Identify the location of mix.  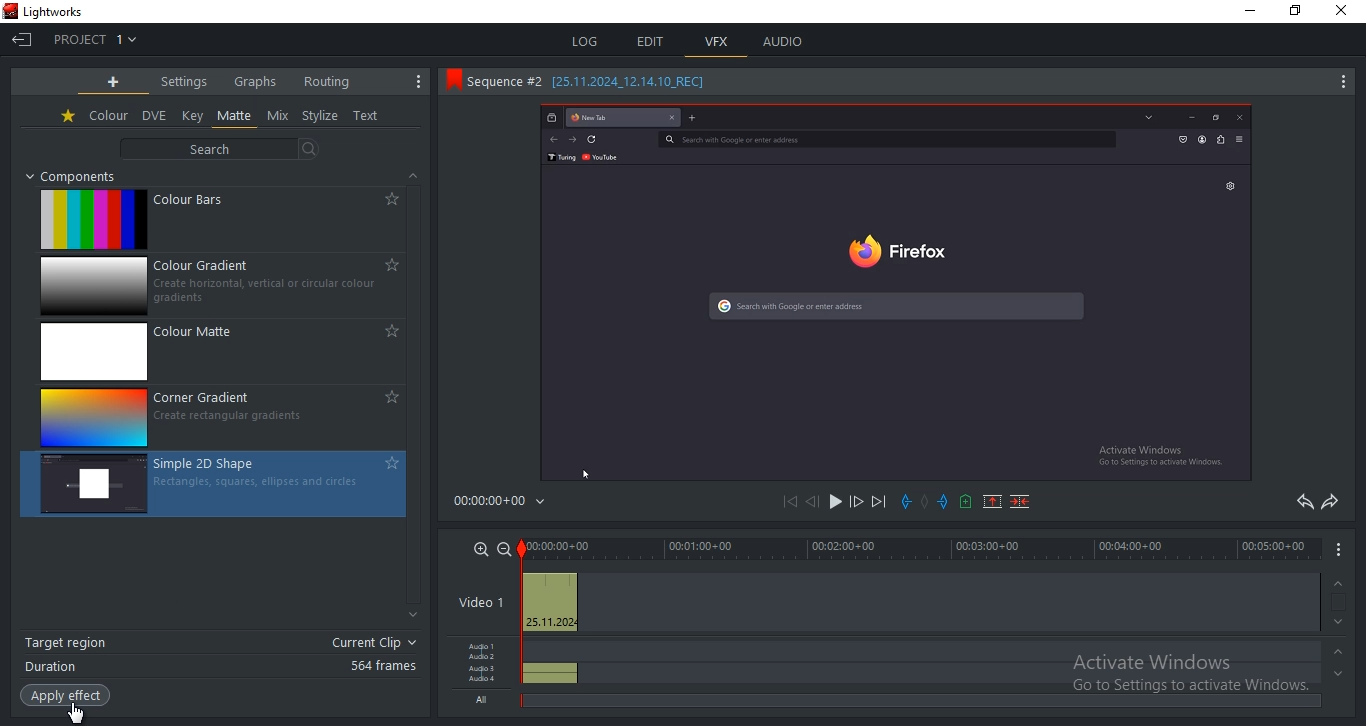
(278, 116).